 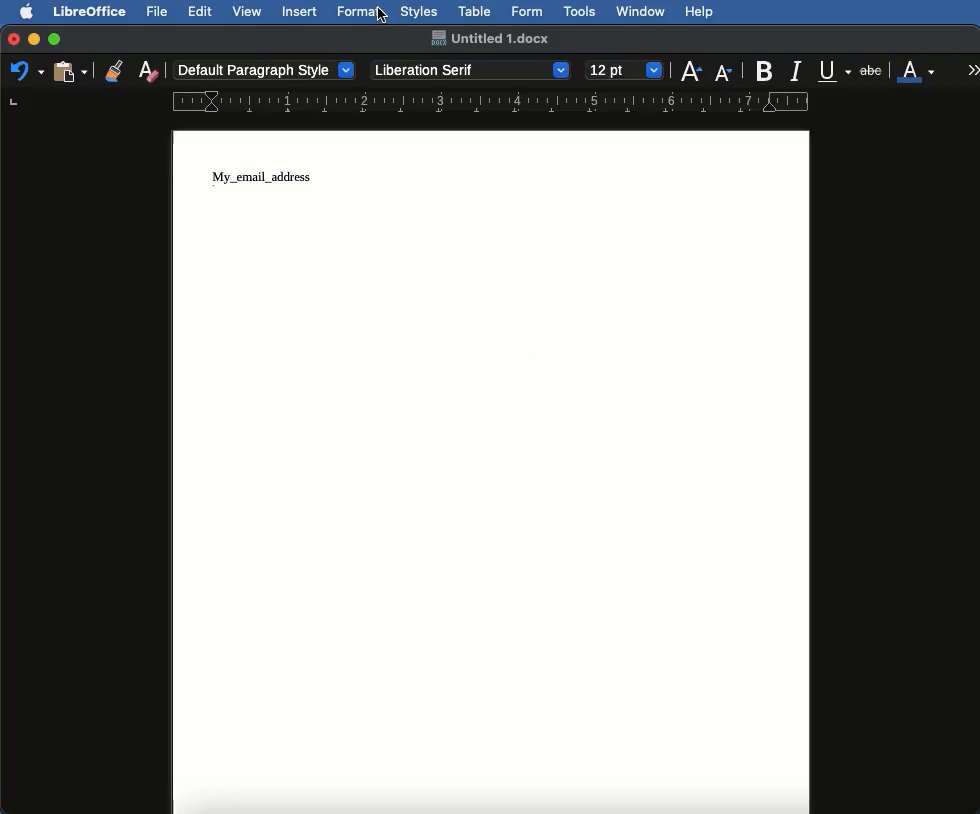 I want to click on Clear formatting, so click(x=148, y=69).